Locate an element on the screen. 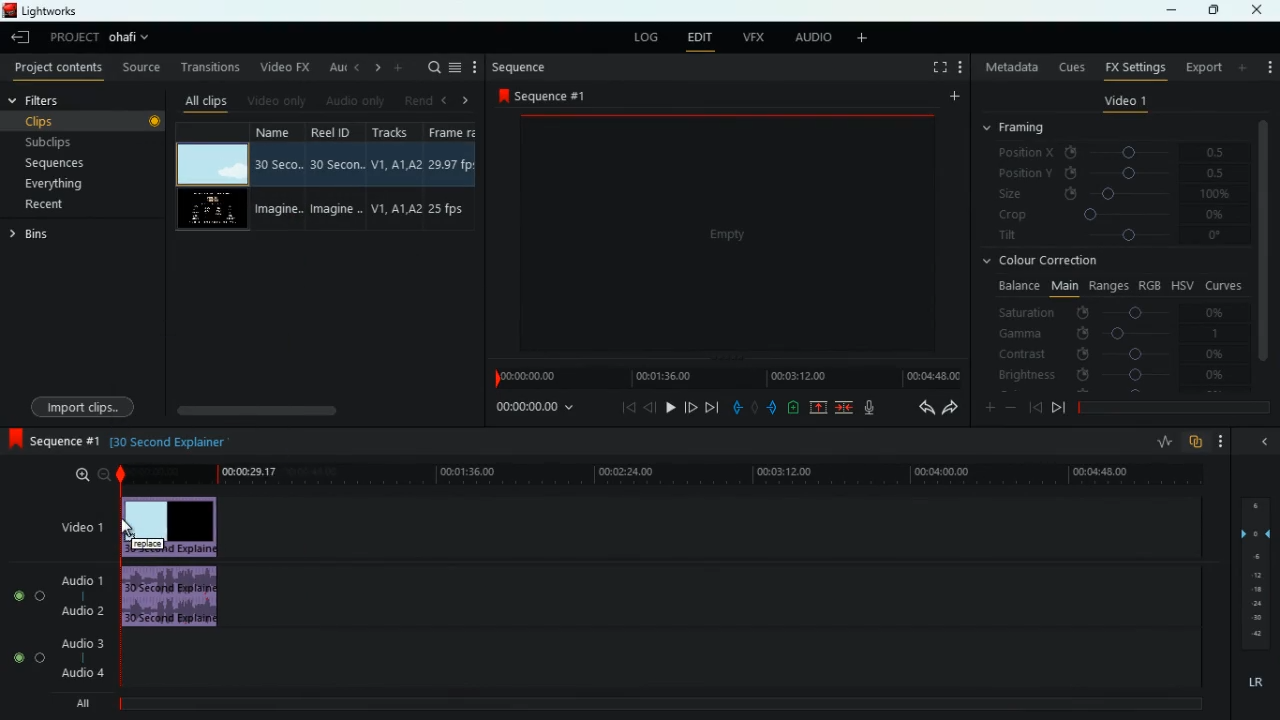 The width and height of the screenshot is (1280, 720). sequence #1 is located at coordinates (544, 97).